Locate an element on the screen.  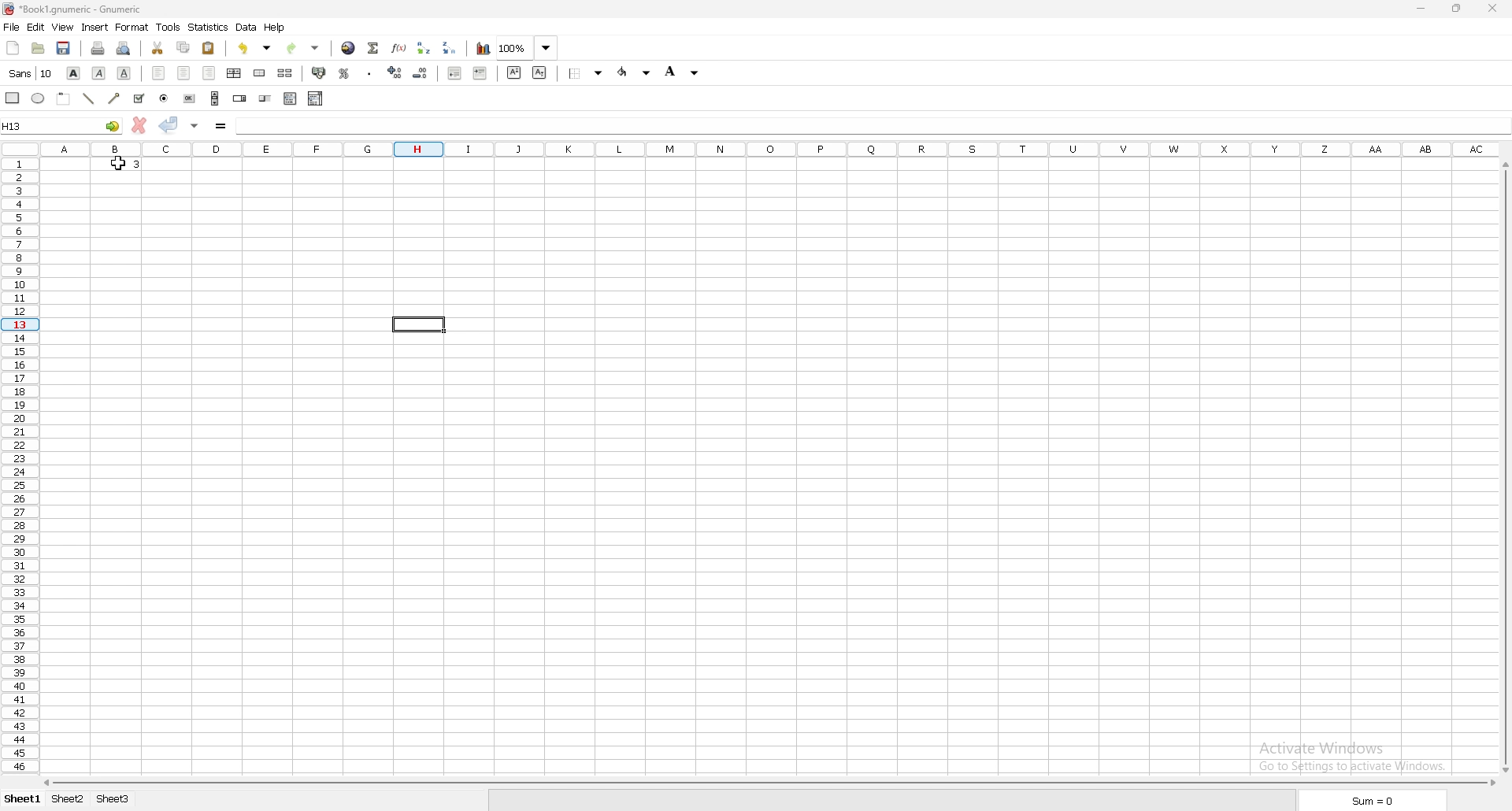
3 is located at coordinates (137, 166).